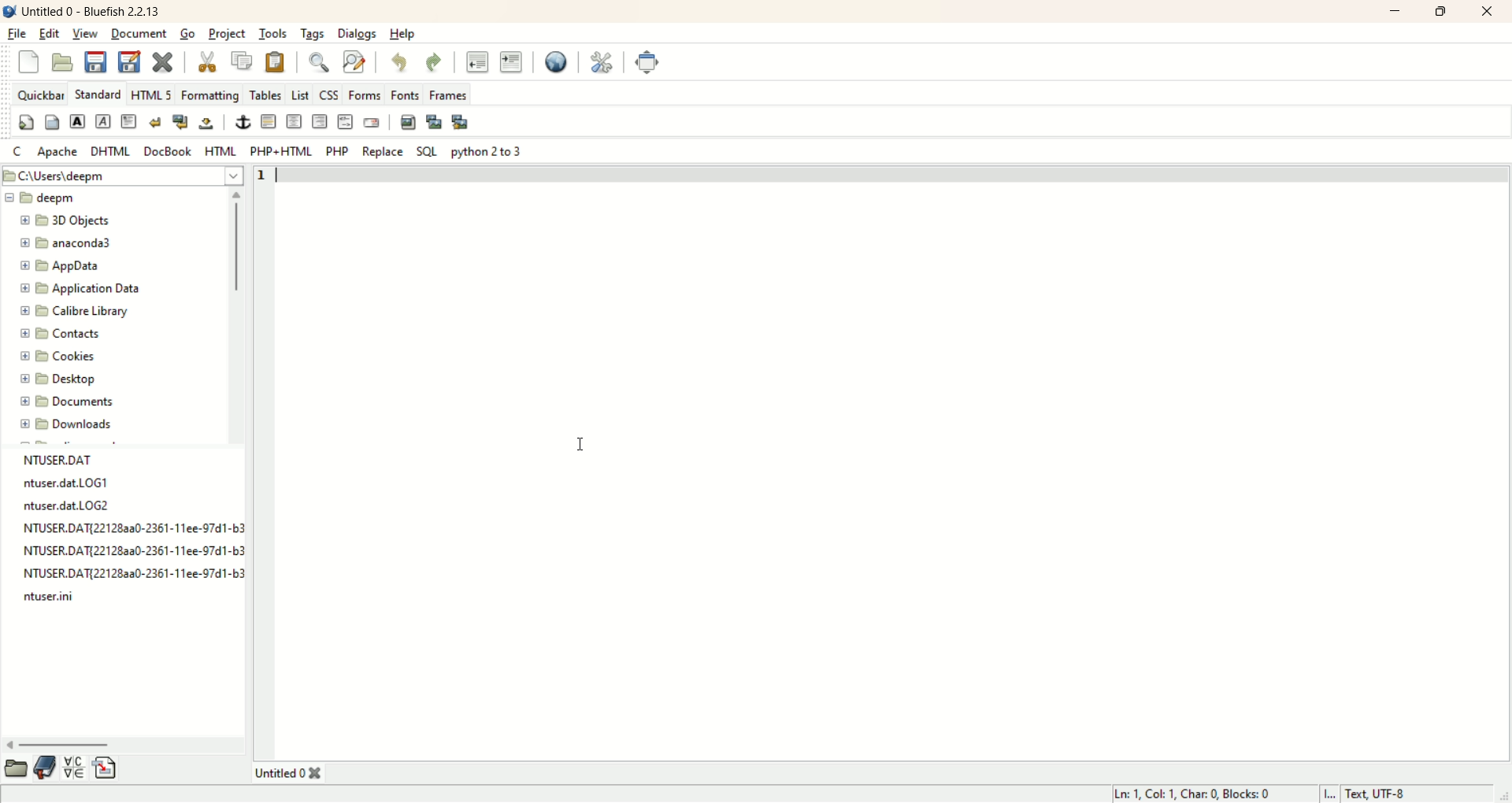 The height and width of the screenshot is (803, 1512). I want to click on insert thumbnail, so click(436, 123).